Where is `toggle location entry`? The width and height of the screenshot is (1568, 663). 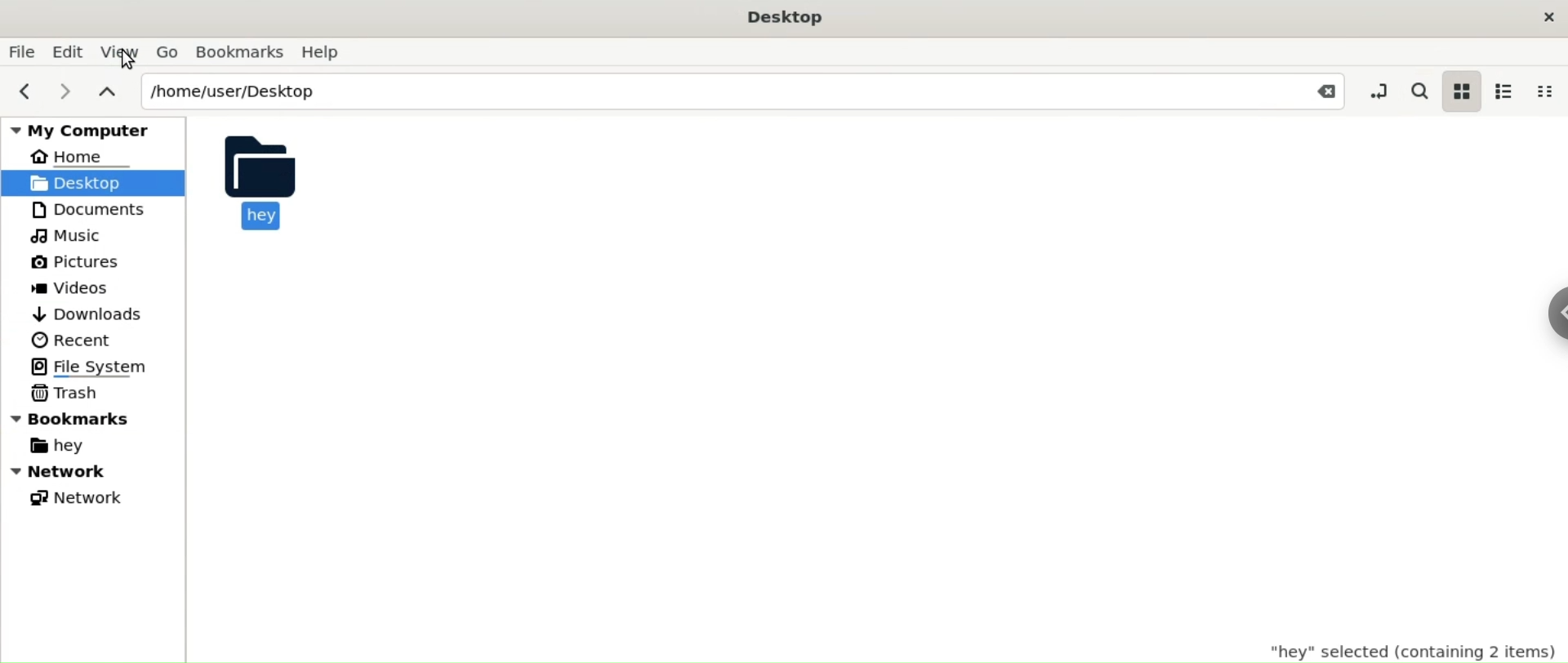
toggle location entry is located at coordinates (1374, 88).